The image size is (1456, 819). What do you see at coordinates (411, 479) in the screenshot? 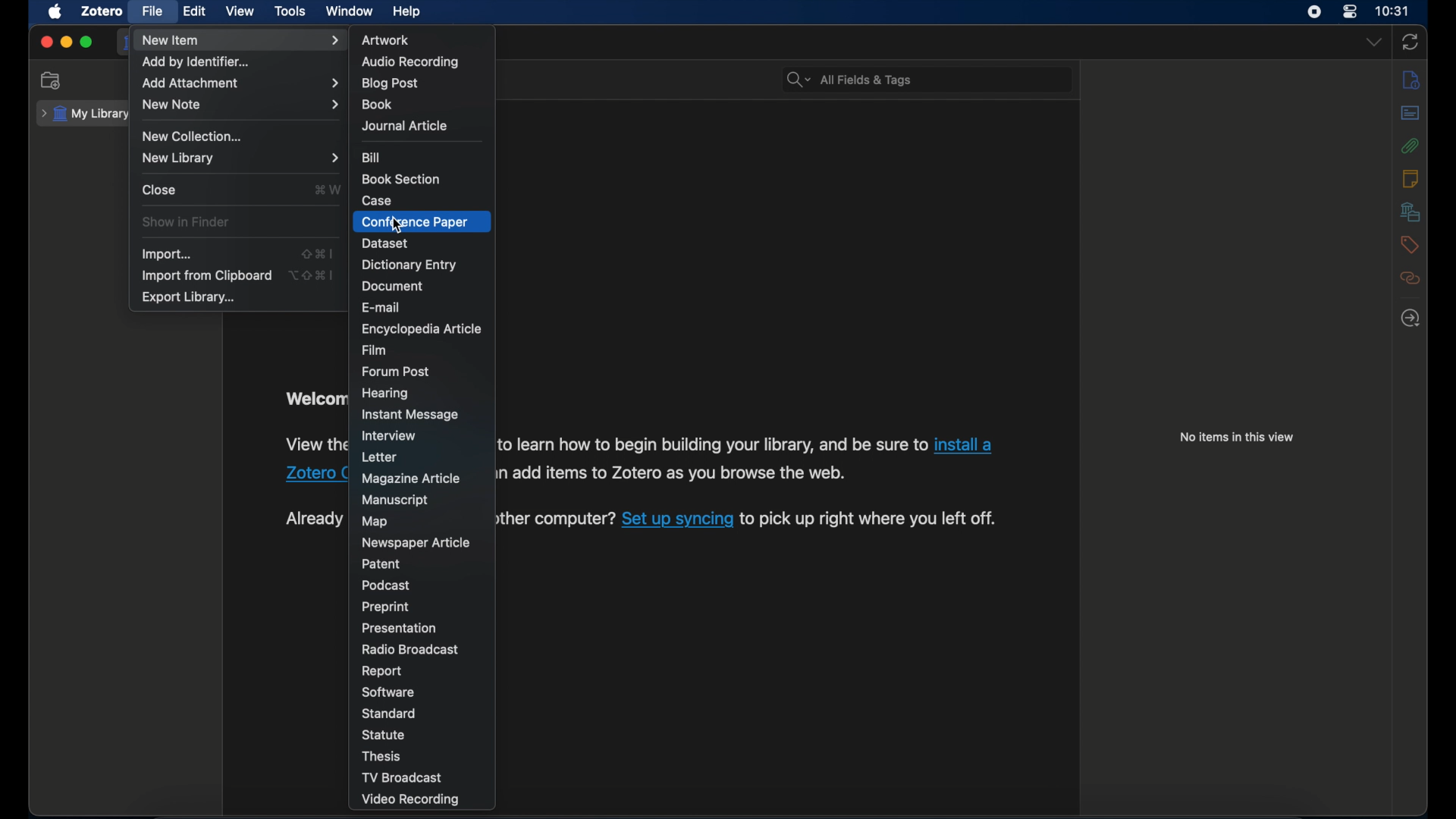
I see `magazine article` at bounding box center [411, 479].